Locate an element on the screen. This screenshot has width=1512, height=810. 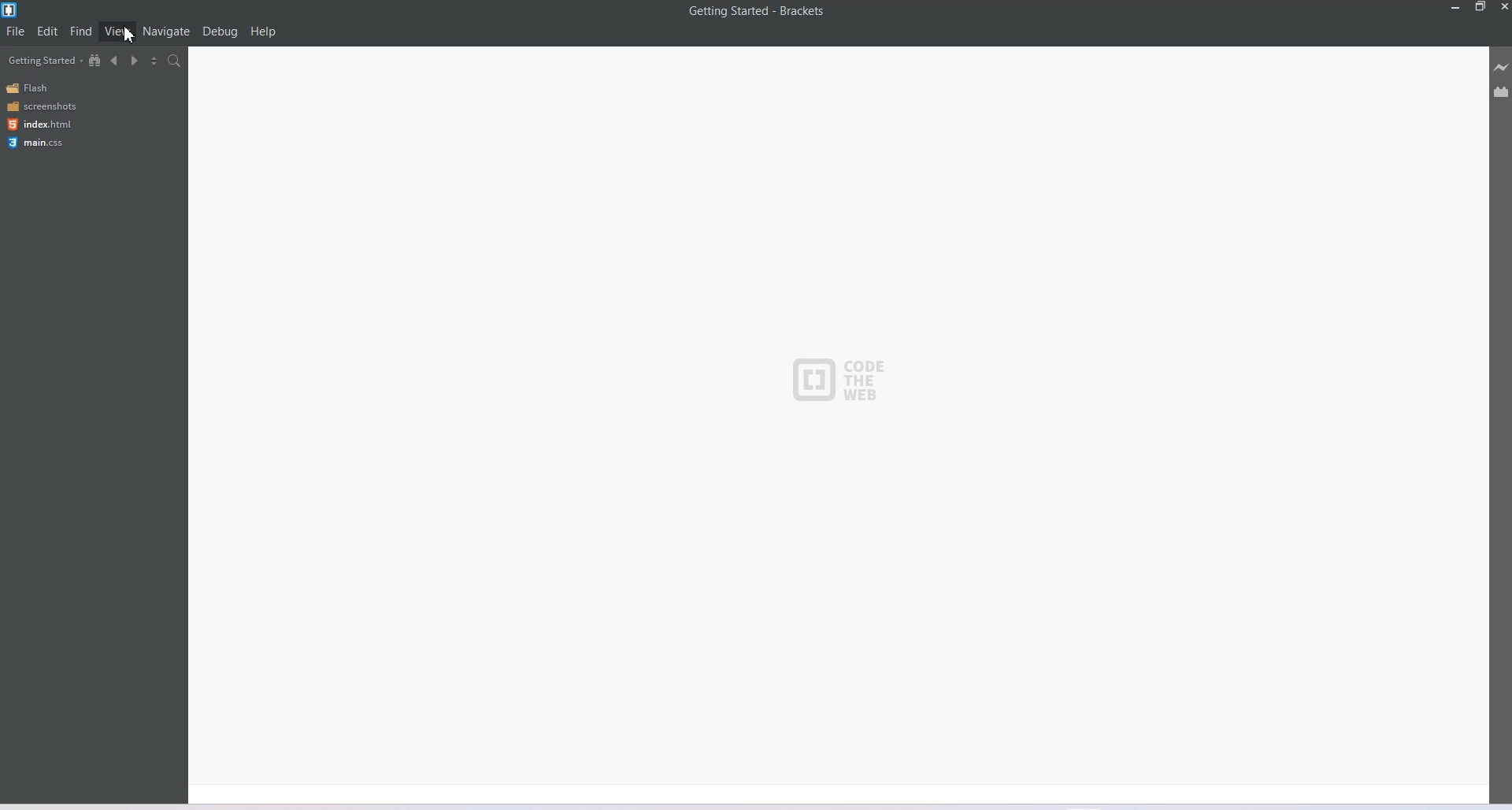
Navigate Forwards is located at coordinates (135, 61).